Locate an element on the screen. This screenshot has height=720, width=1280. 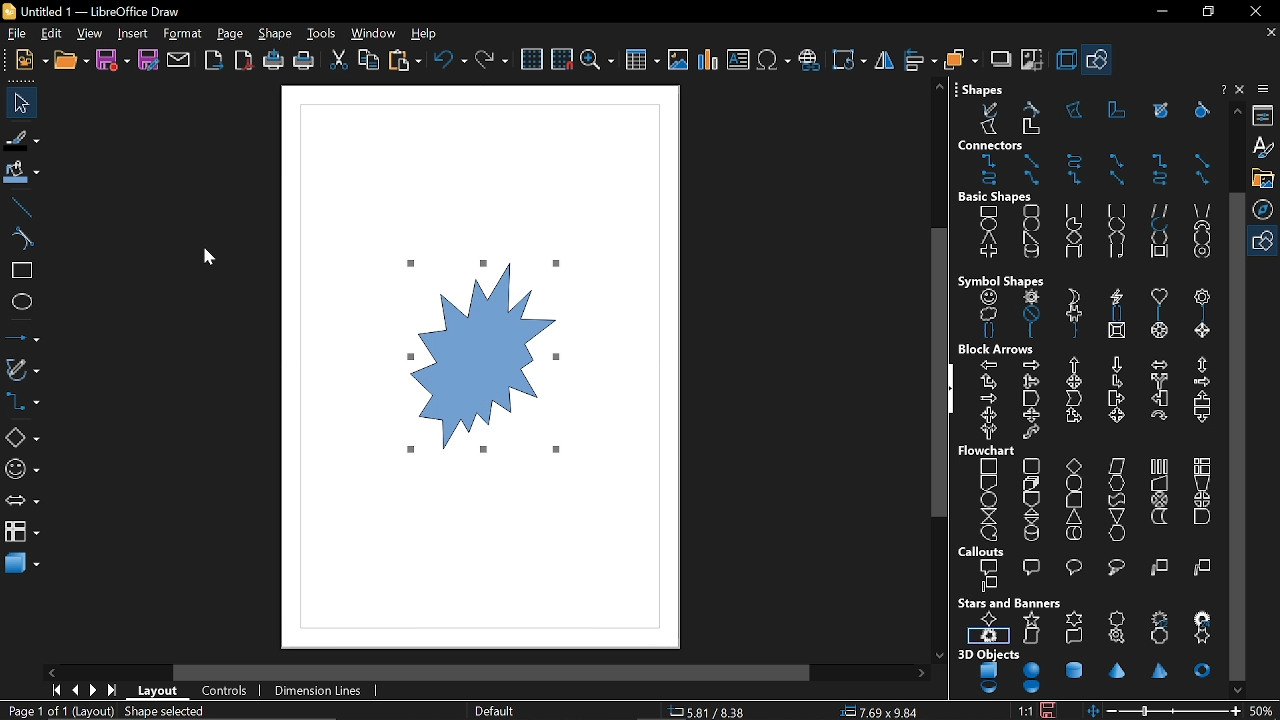
curves and polygons is located at coordinates (21, 371).